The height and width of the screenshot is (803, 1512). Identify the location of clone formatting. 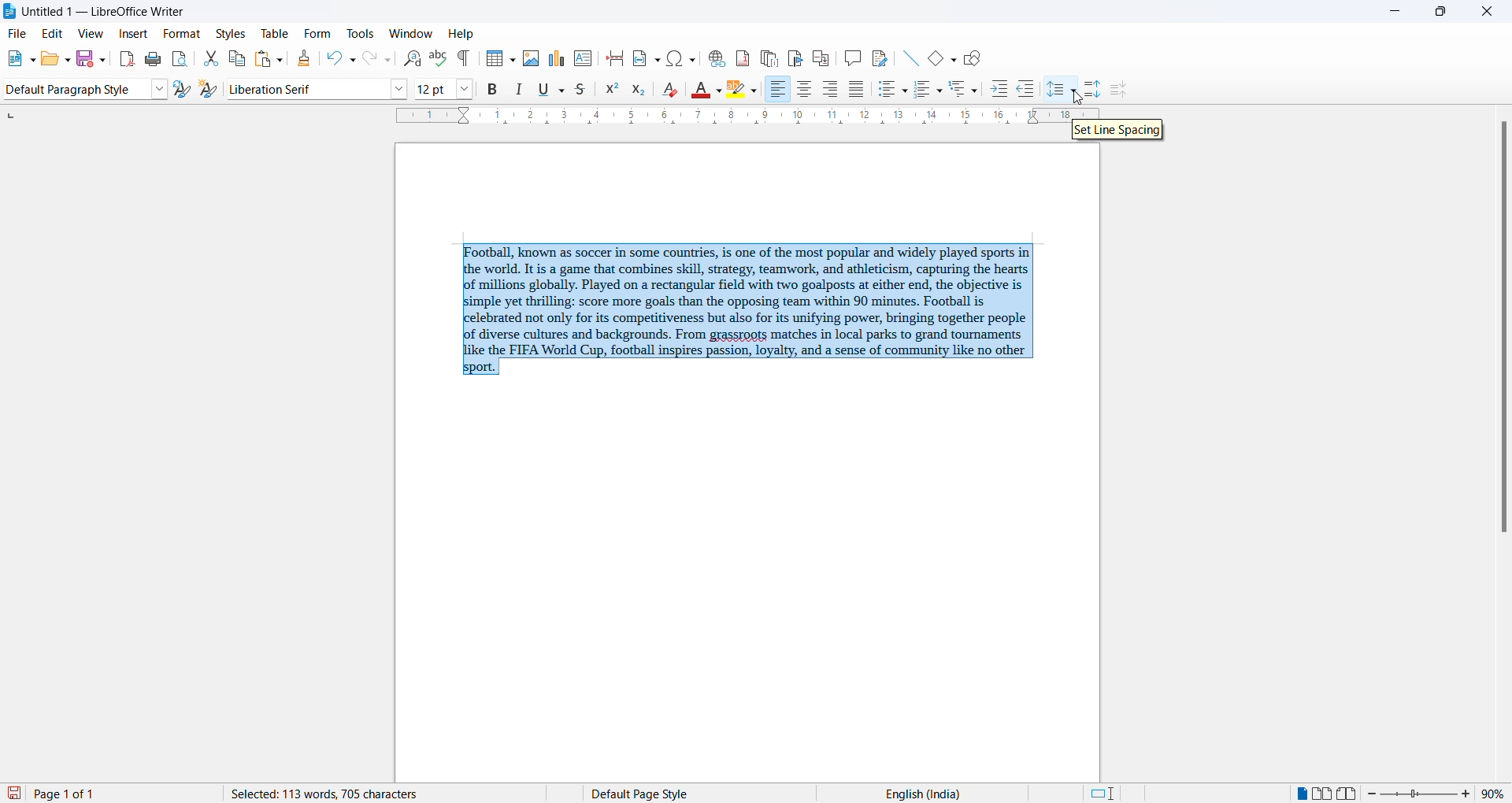
(306, 58).